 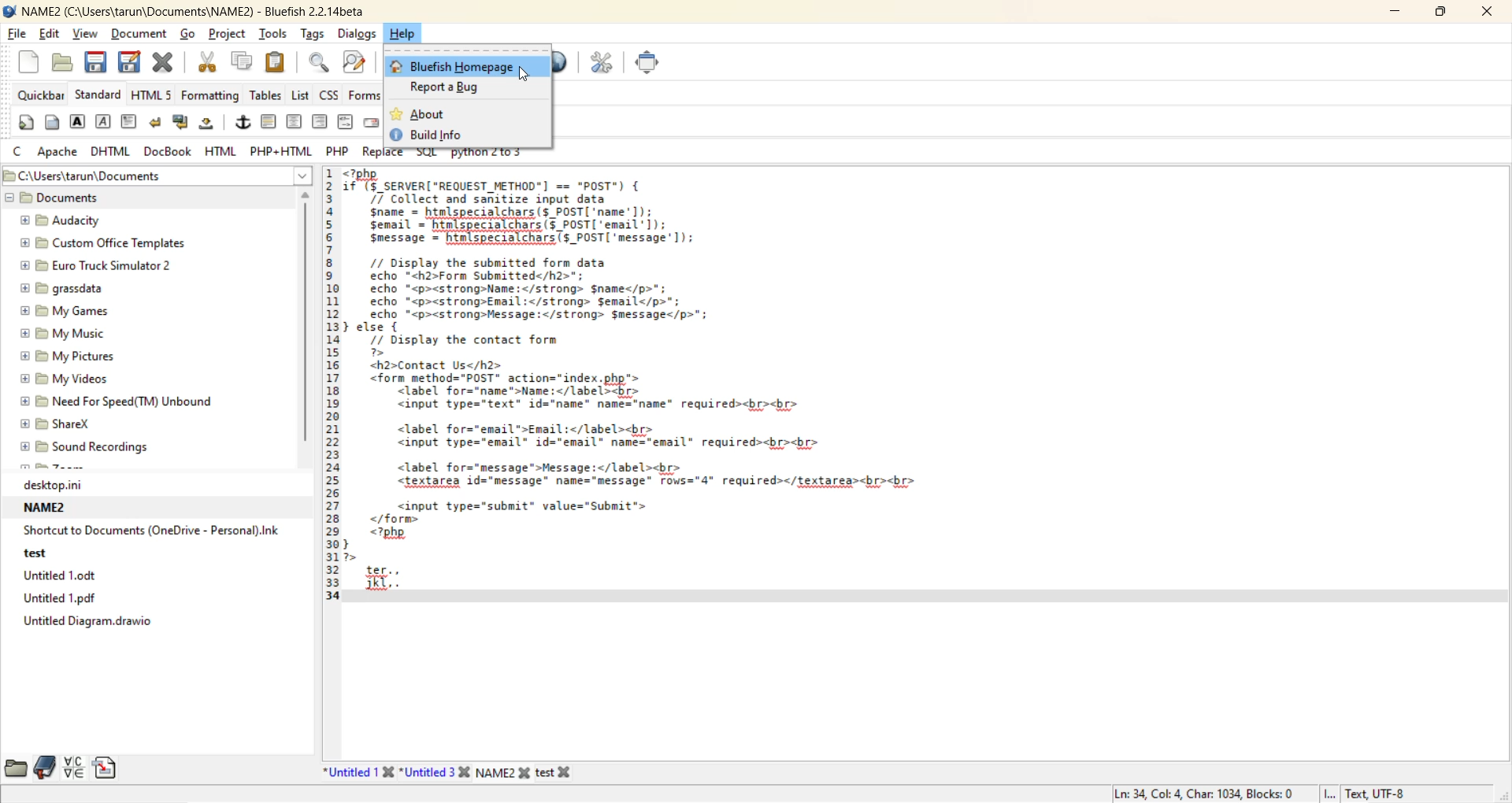 I want to click on quickbar, so click(x=35, y=94).